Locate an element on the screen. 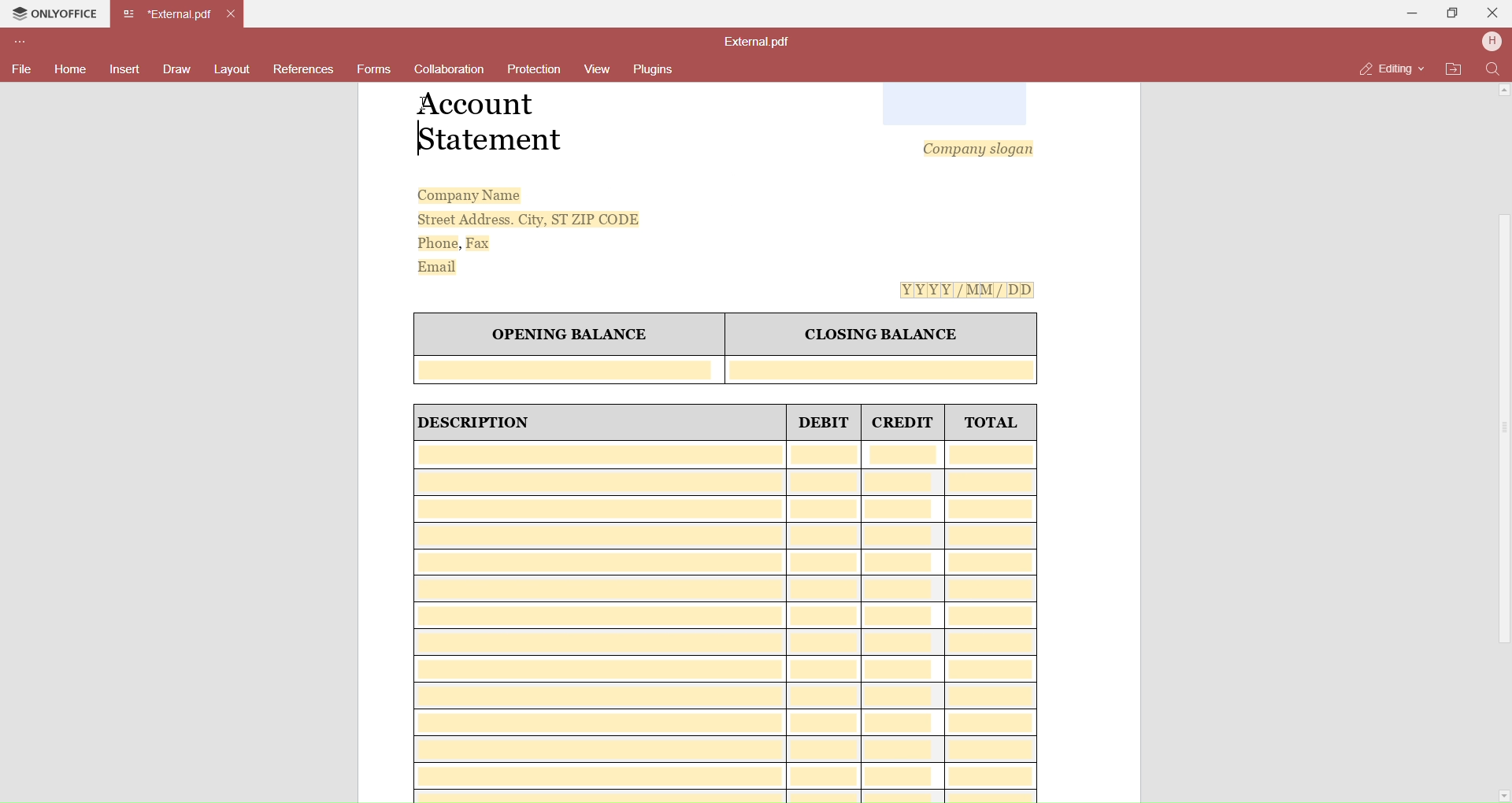 This screenshot has width=1512, height=803. File is located at coordinates (22, 70).